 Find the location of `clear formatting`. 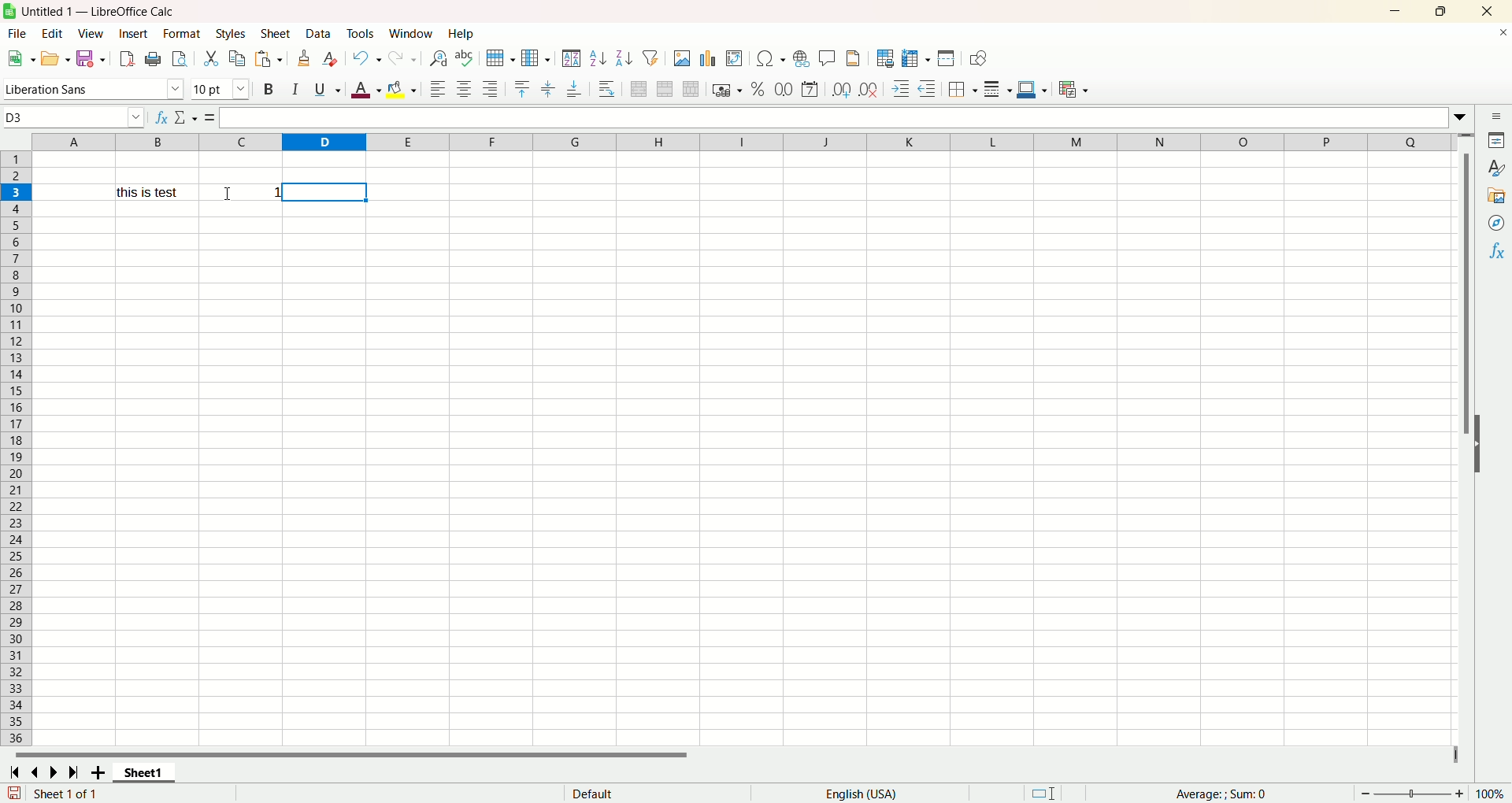

clear formatting is located at coordinates (332, 58).